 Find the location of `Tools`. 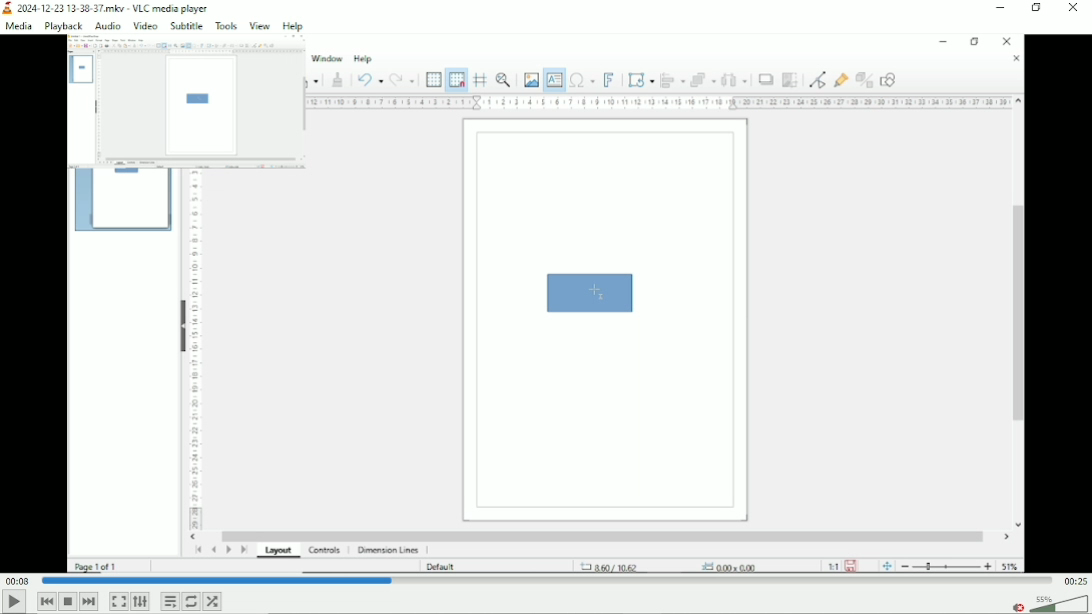

Tools is located at coordinates (225, 26).